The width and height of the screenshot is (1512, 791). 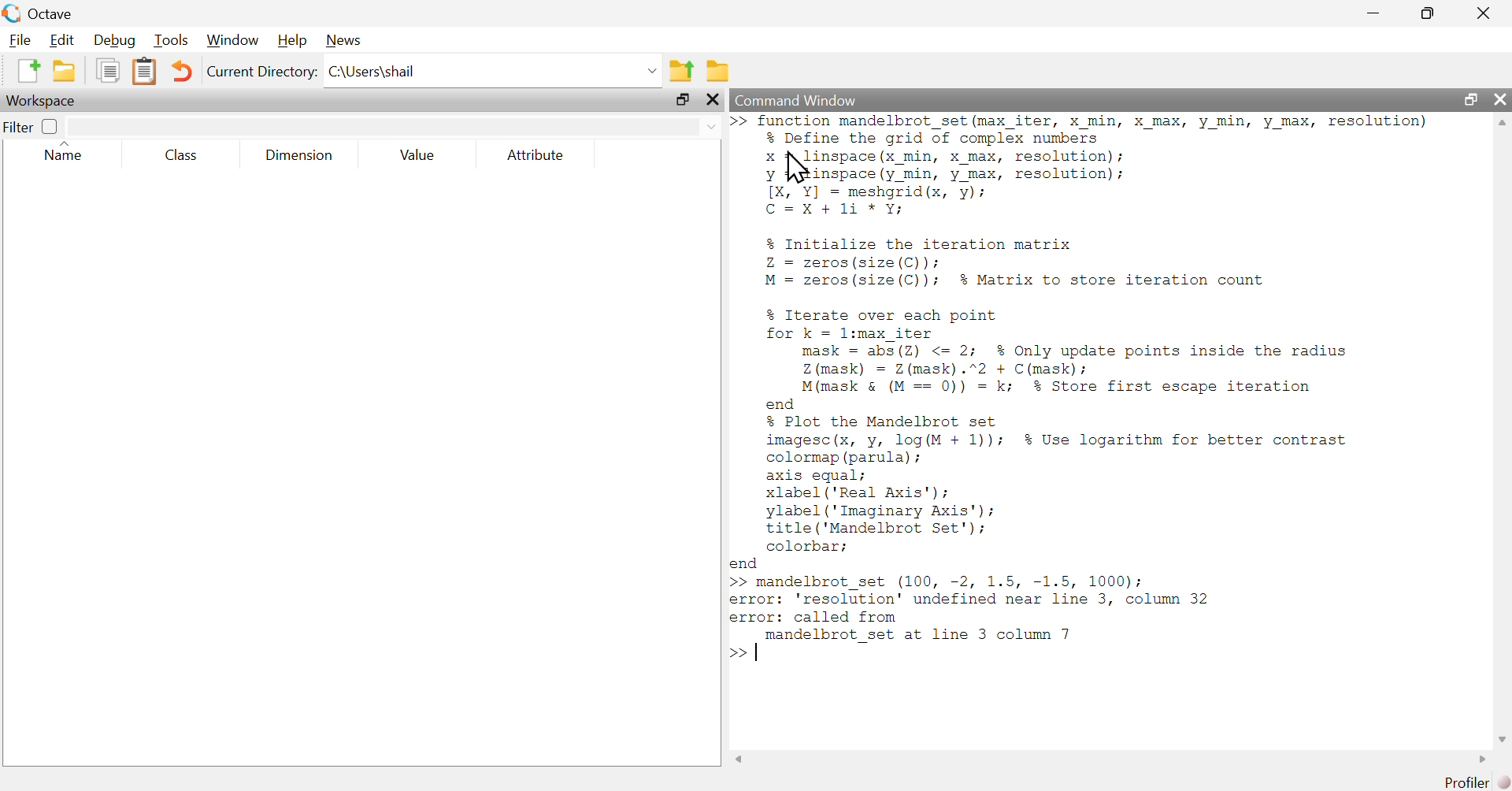 What do you see at coordinates (1499, 101) in the screenshot?
I see `close` at bounding box center [1499, 101].